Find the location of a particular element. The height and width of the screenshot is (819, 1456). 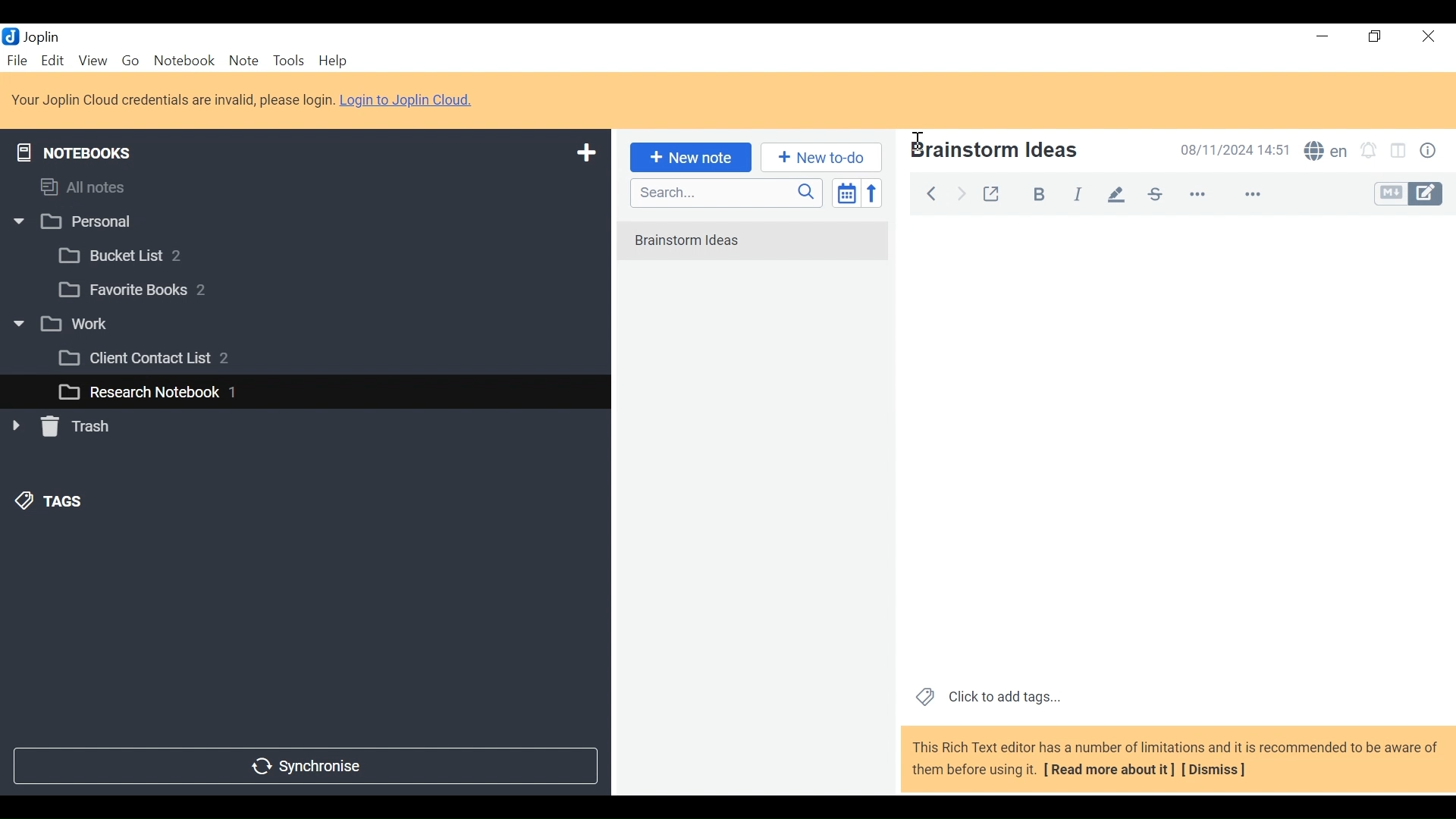

Help is located at coordinates (335, 61).